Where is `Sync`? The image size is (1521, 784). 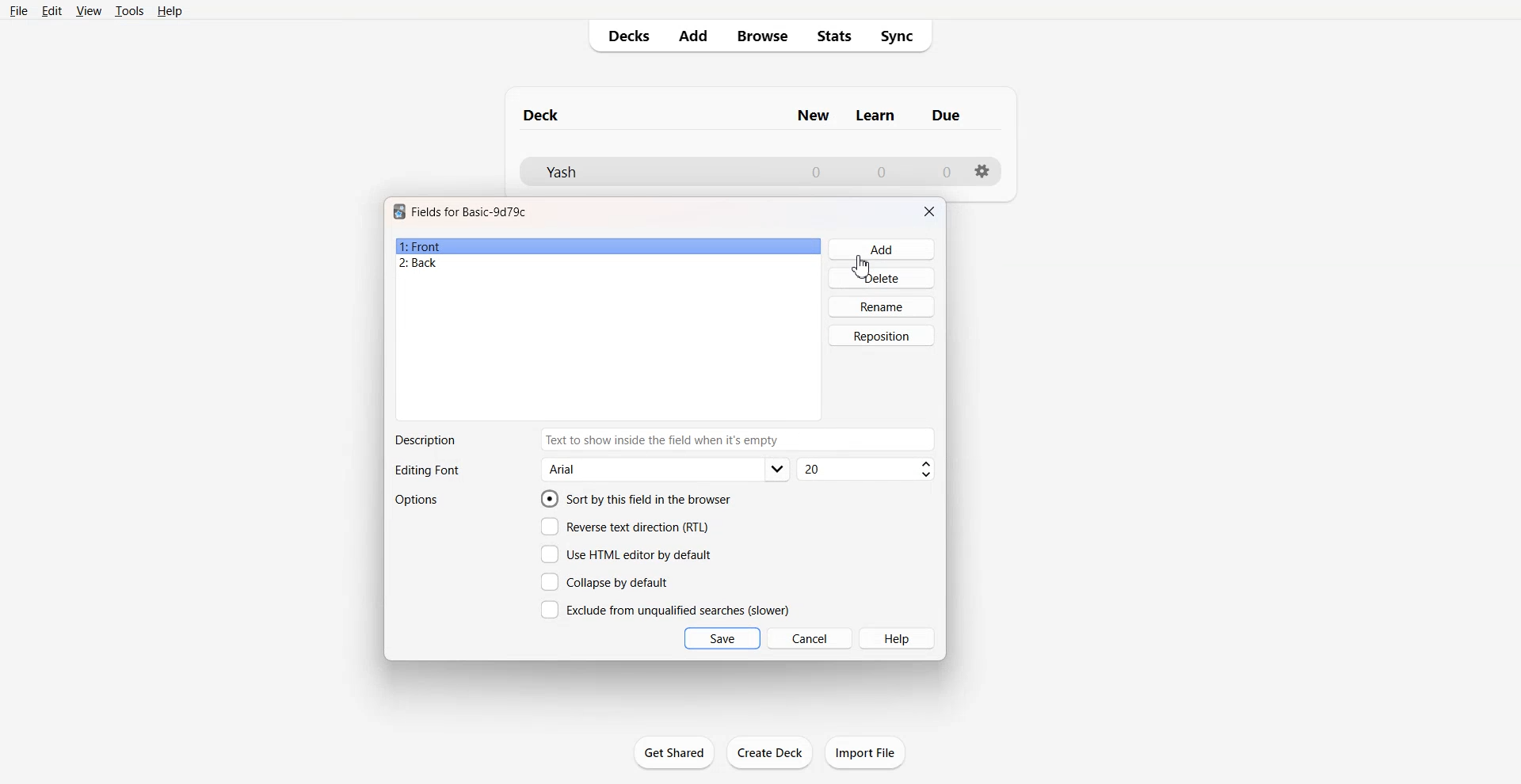
Sync is located at coordinates (902, 36).